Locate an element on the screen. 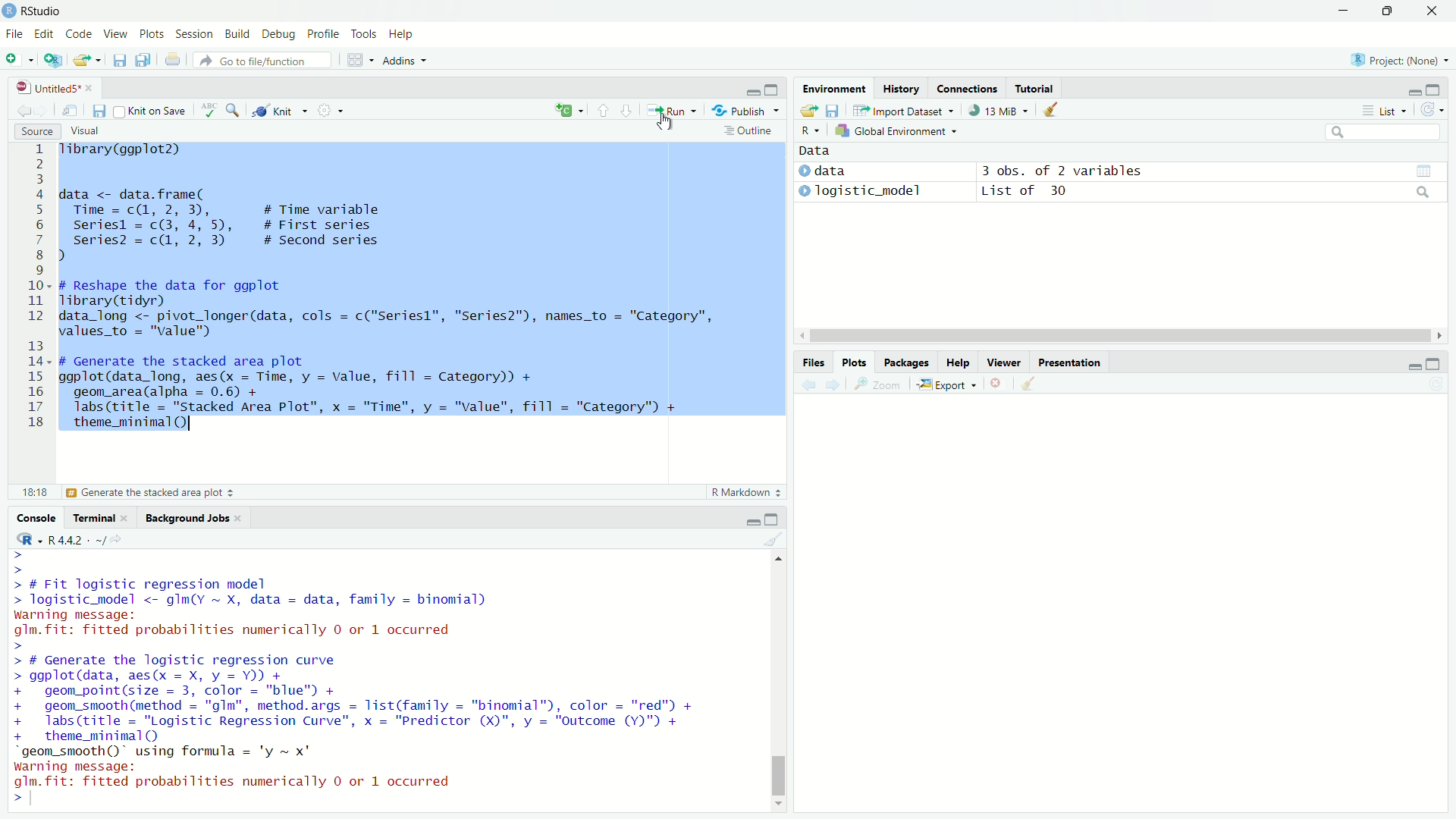 The height and width of the screenshot is (819, 1456). move is located at coordinates (71, 109).